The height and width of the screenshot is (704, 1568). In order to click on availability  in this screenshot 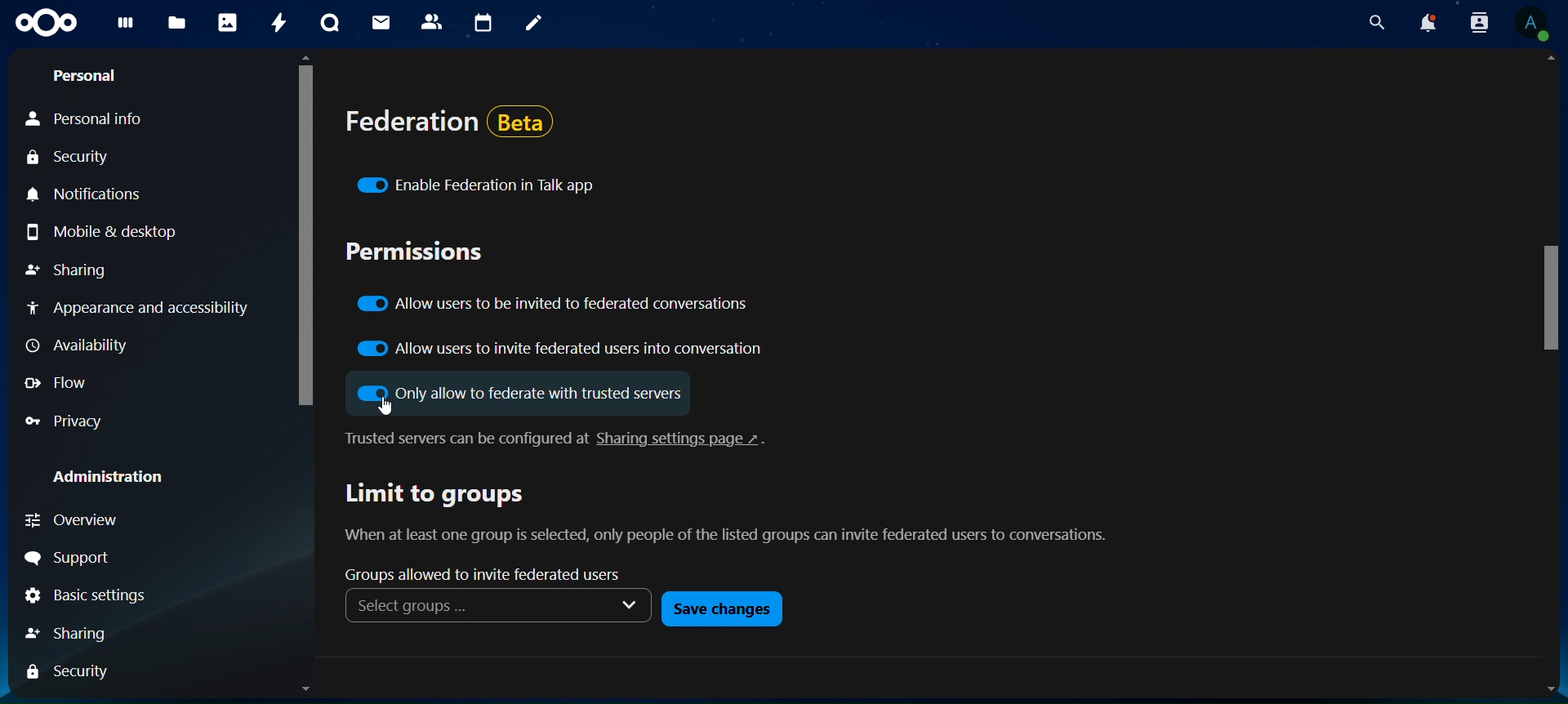, I will do `click(78, 346)`.